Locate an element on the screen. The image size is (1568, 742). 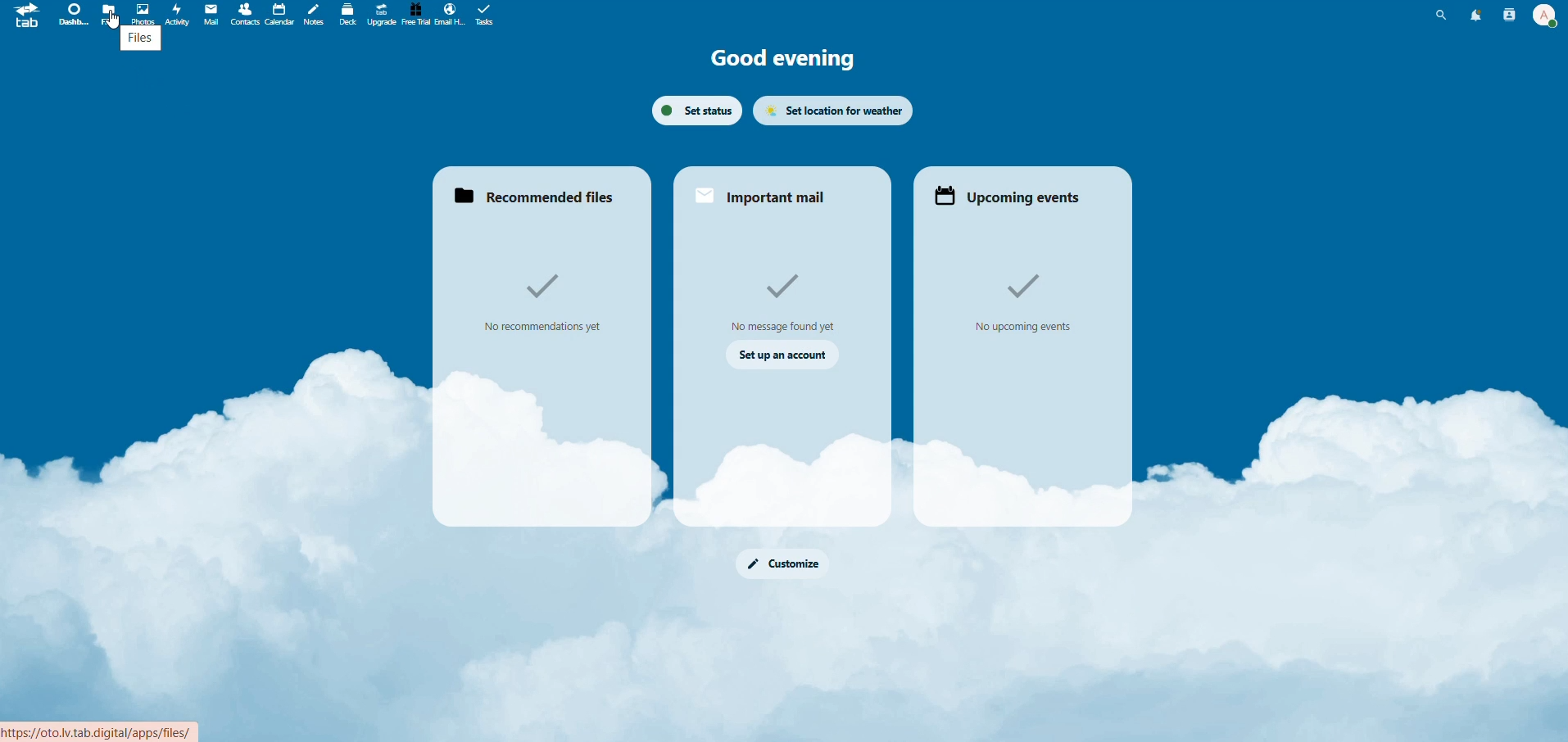
Mail is located at coordinates (211, 16).